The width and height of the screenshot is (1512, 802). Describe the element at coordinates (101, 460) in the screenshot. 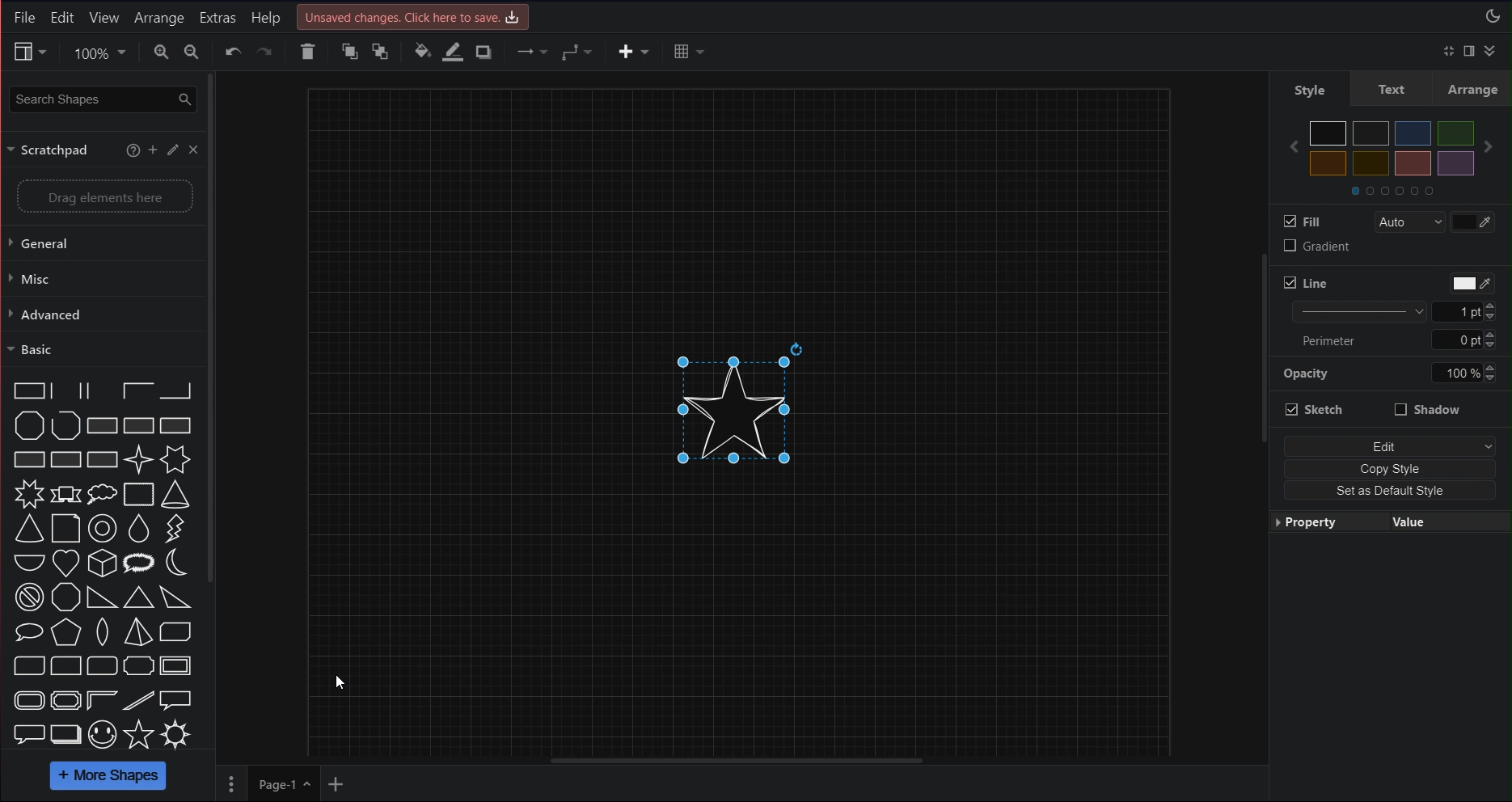

I see `rectangle with diagonal grid fill` at that location.